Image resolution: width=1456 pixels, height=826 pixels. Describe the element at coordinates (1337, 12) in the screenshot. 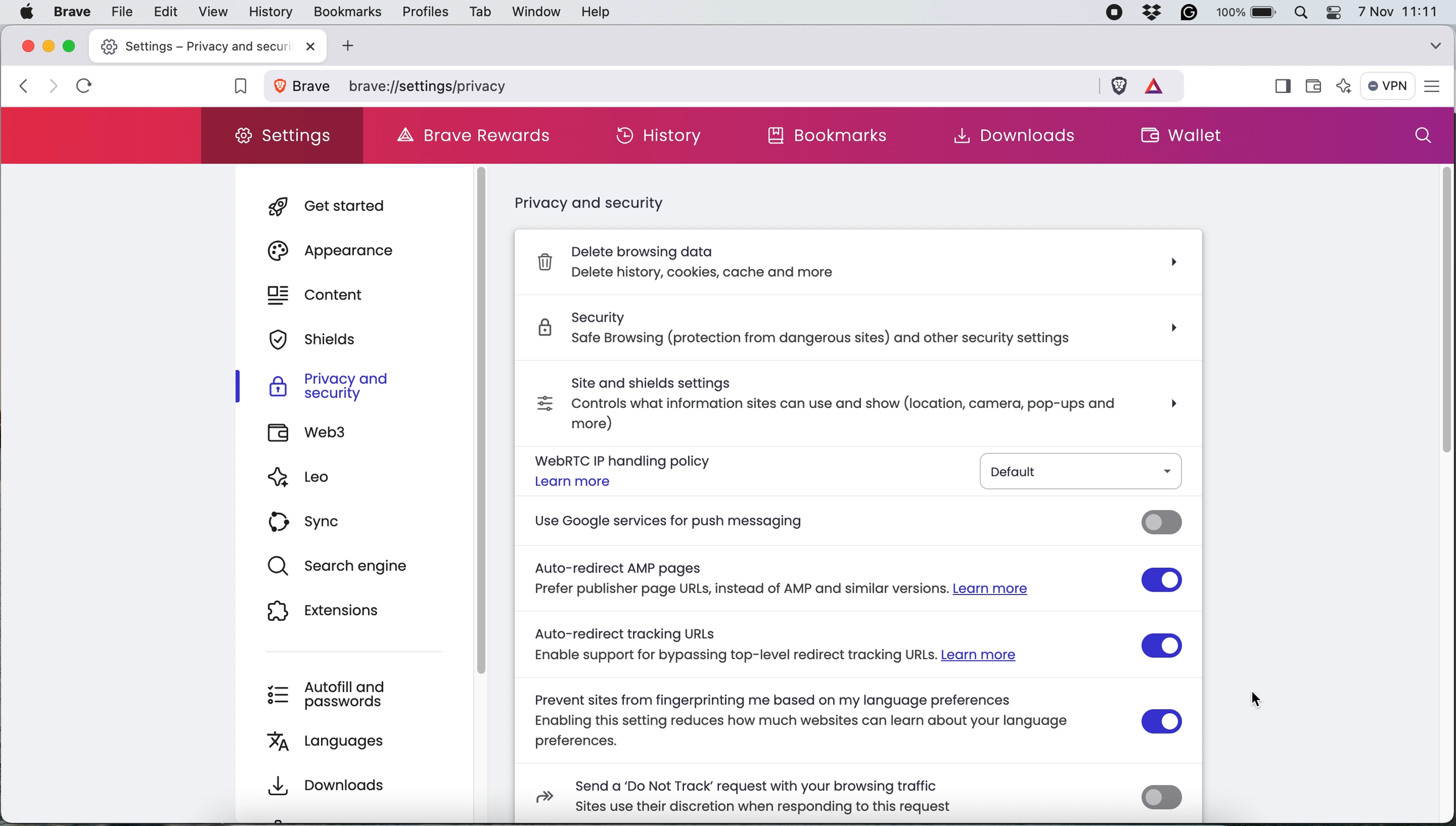

I see `control center` at that location.